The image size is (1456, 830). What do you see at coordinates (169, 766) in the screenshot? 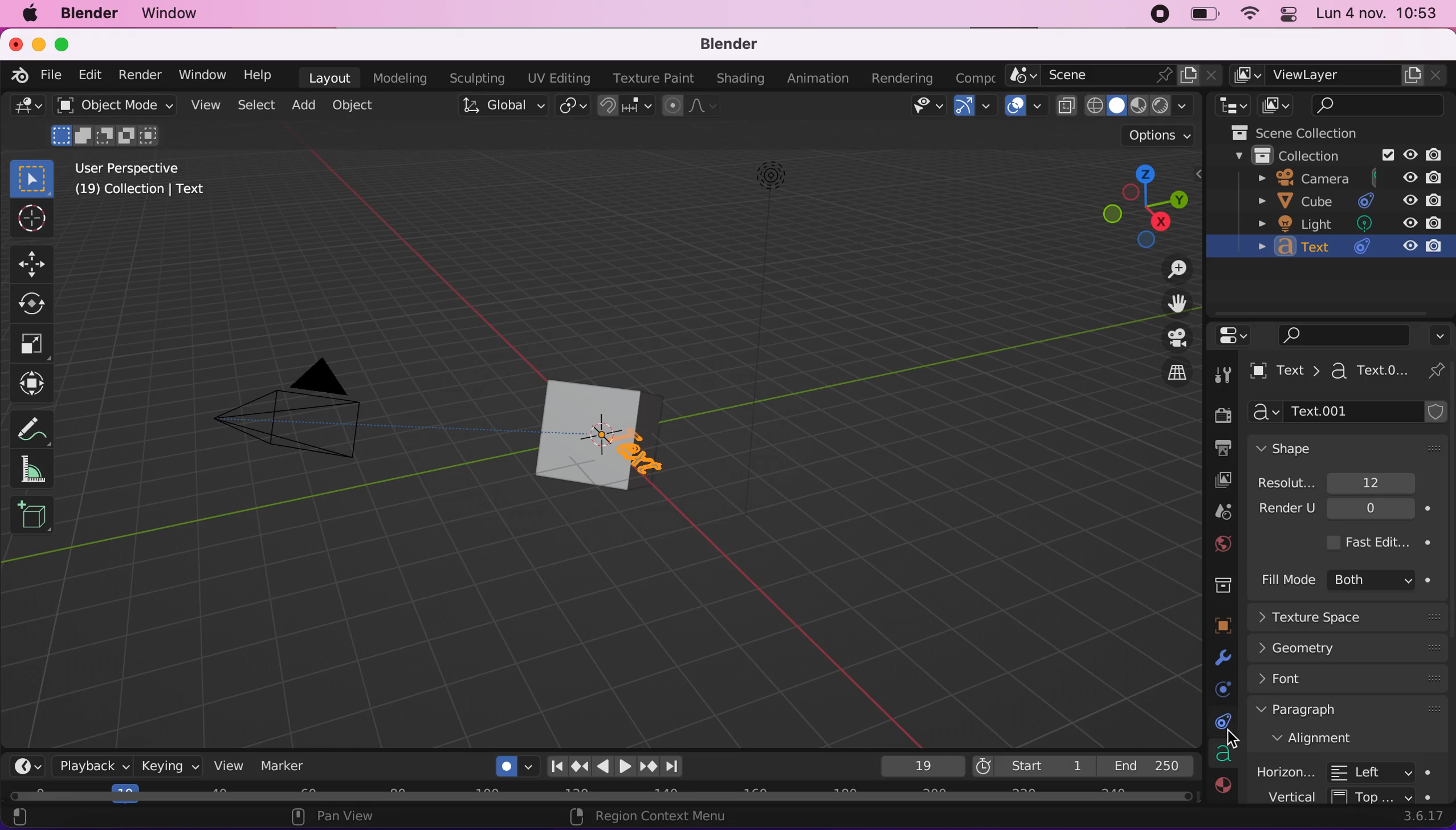
I see `keying` at bounding box center [169, 766].